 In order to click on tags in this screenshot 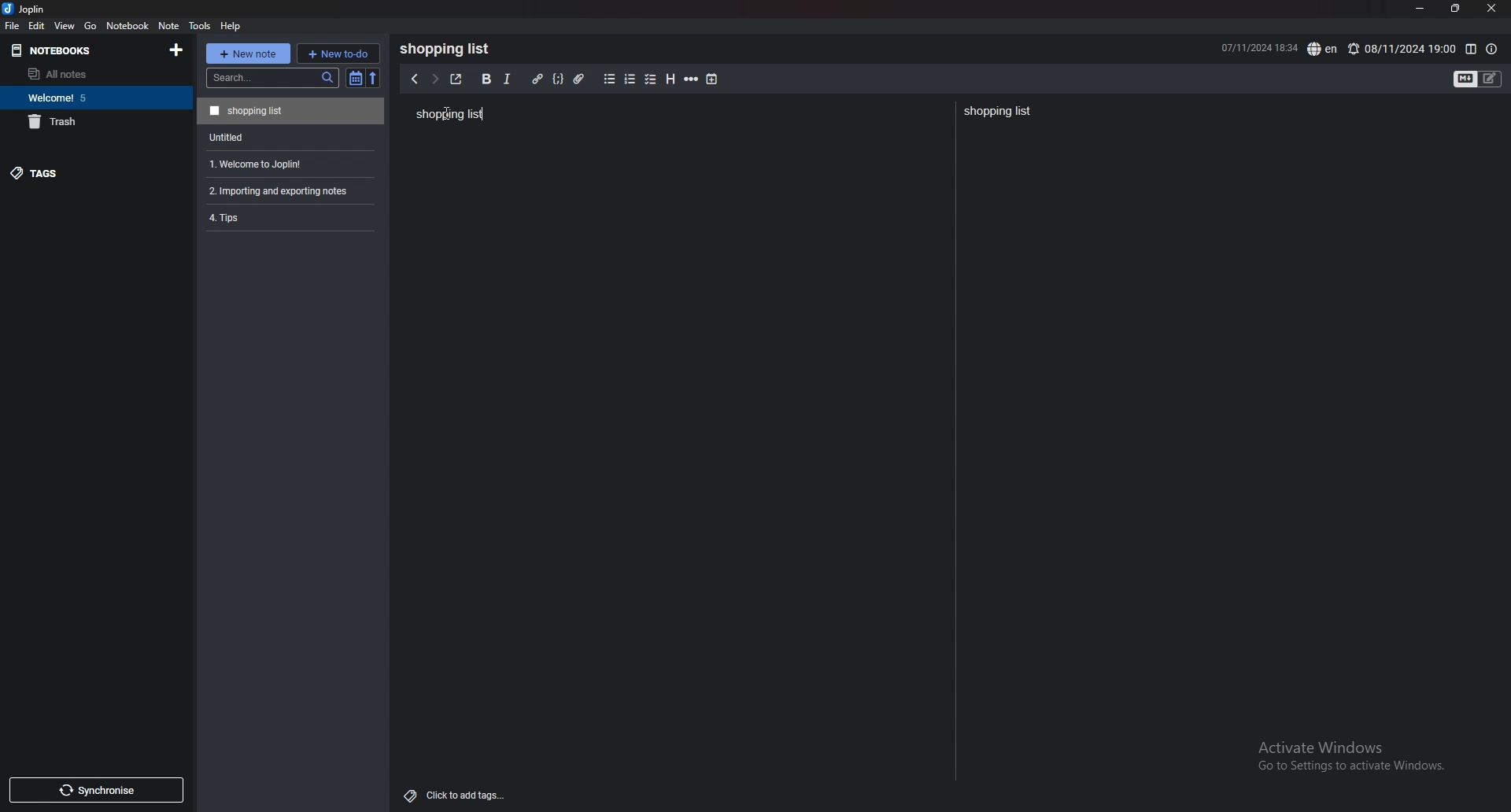, I will do `click(84, 172)`.